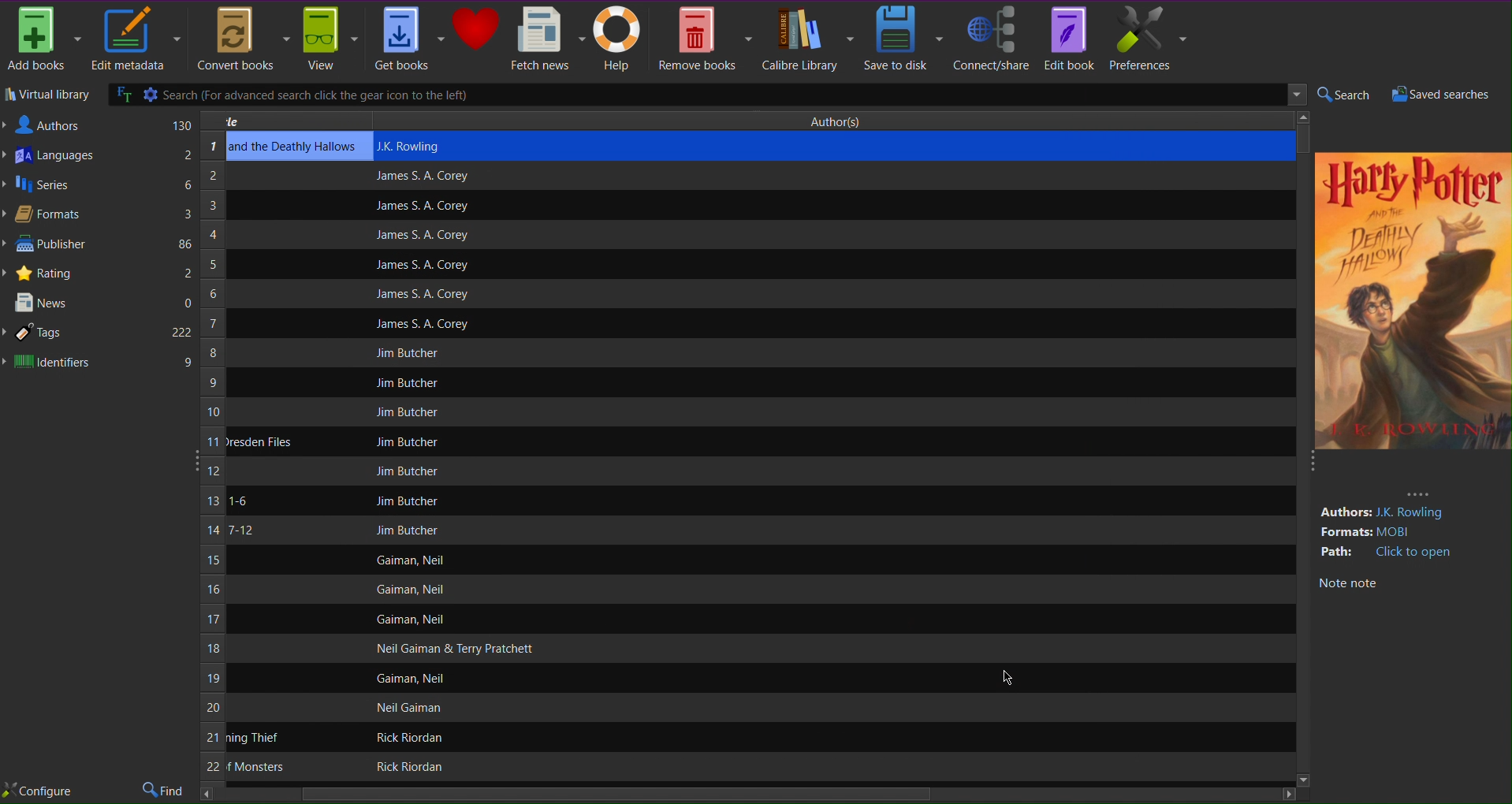 Image resolution: width=1512 pixels, height=804 pixels. Describe the element at coordinates (1418, 493) in the screenshot. I see `more` at that location.